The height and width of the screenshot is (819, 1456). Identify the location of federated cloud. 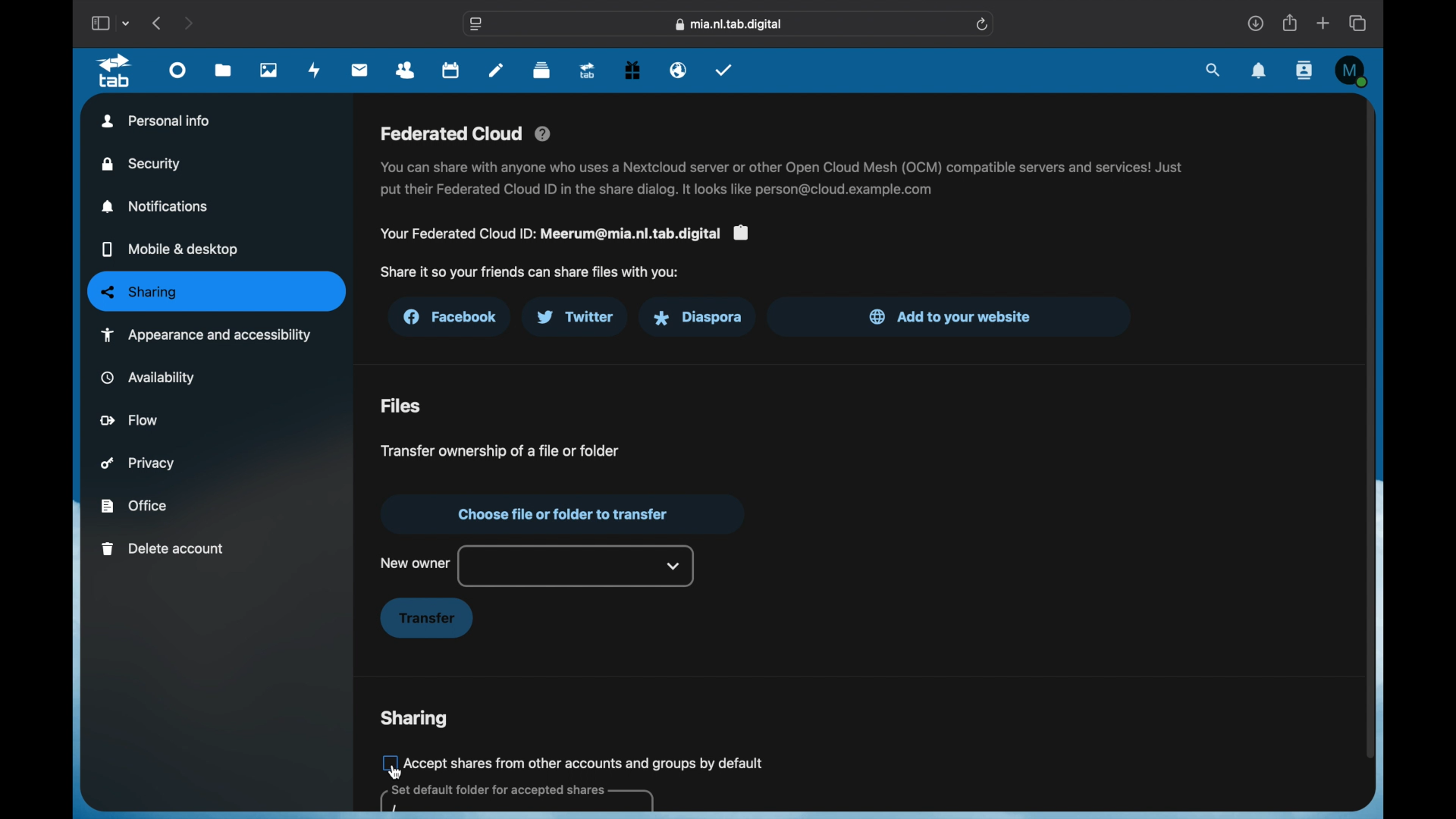
(467, 134).